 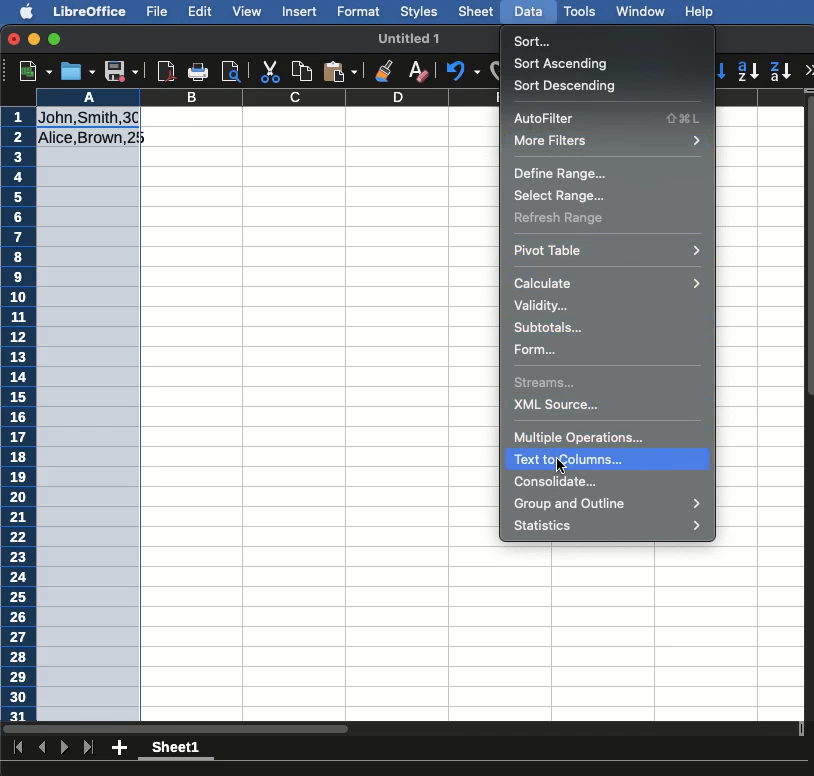 What do you see at coordinates (809, 69) in the screenshot?
I see `More` at bounding box center [809, 69].